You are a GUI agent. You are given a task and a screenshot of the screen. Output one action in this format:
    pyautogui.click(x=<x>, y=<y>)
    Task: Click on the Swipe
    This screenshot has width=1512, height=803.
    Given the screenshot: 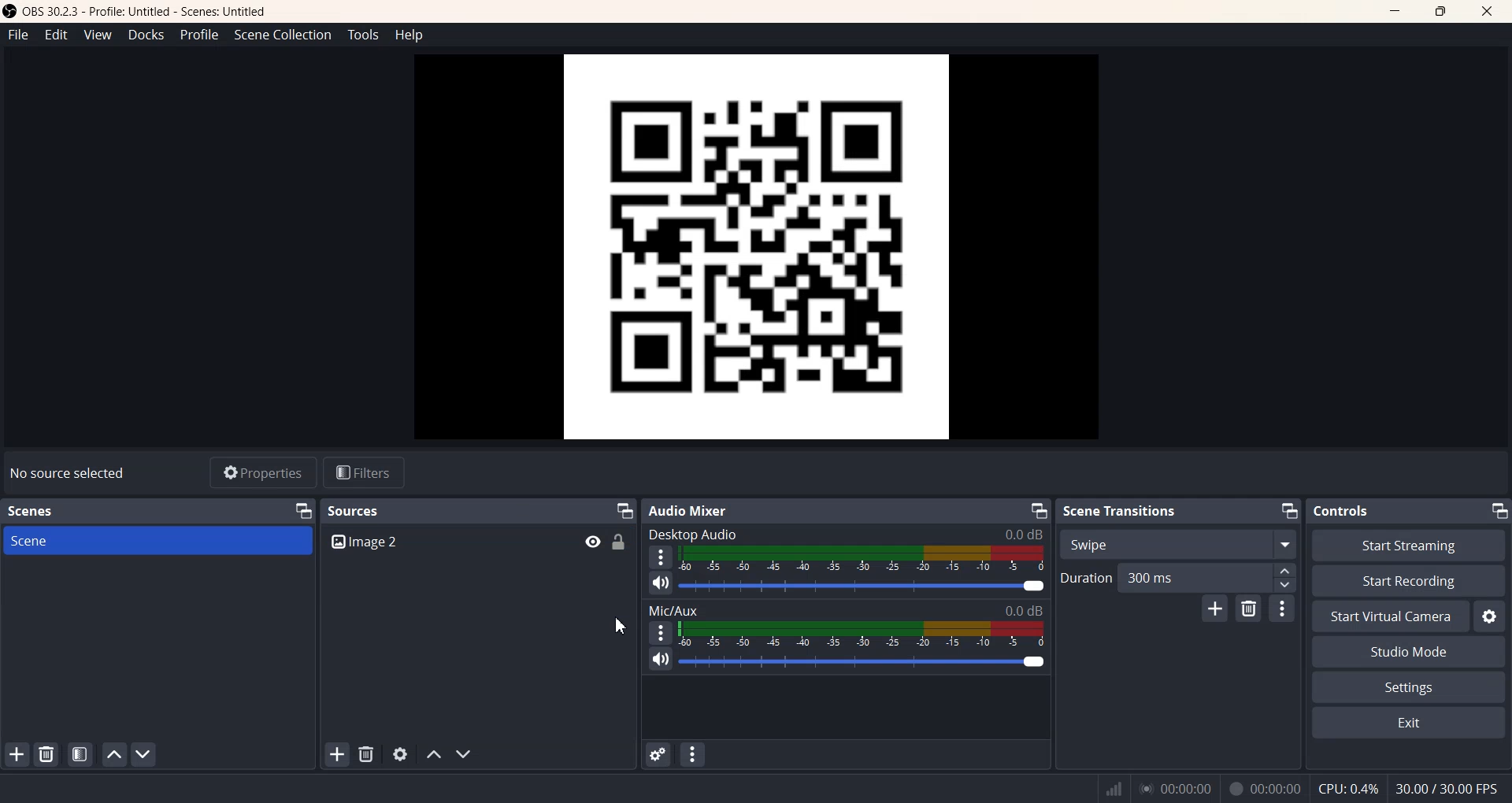 What is the action you would take?
    pyautogui.click(x=1178, y=542)
    